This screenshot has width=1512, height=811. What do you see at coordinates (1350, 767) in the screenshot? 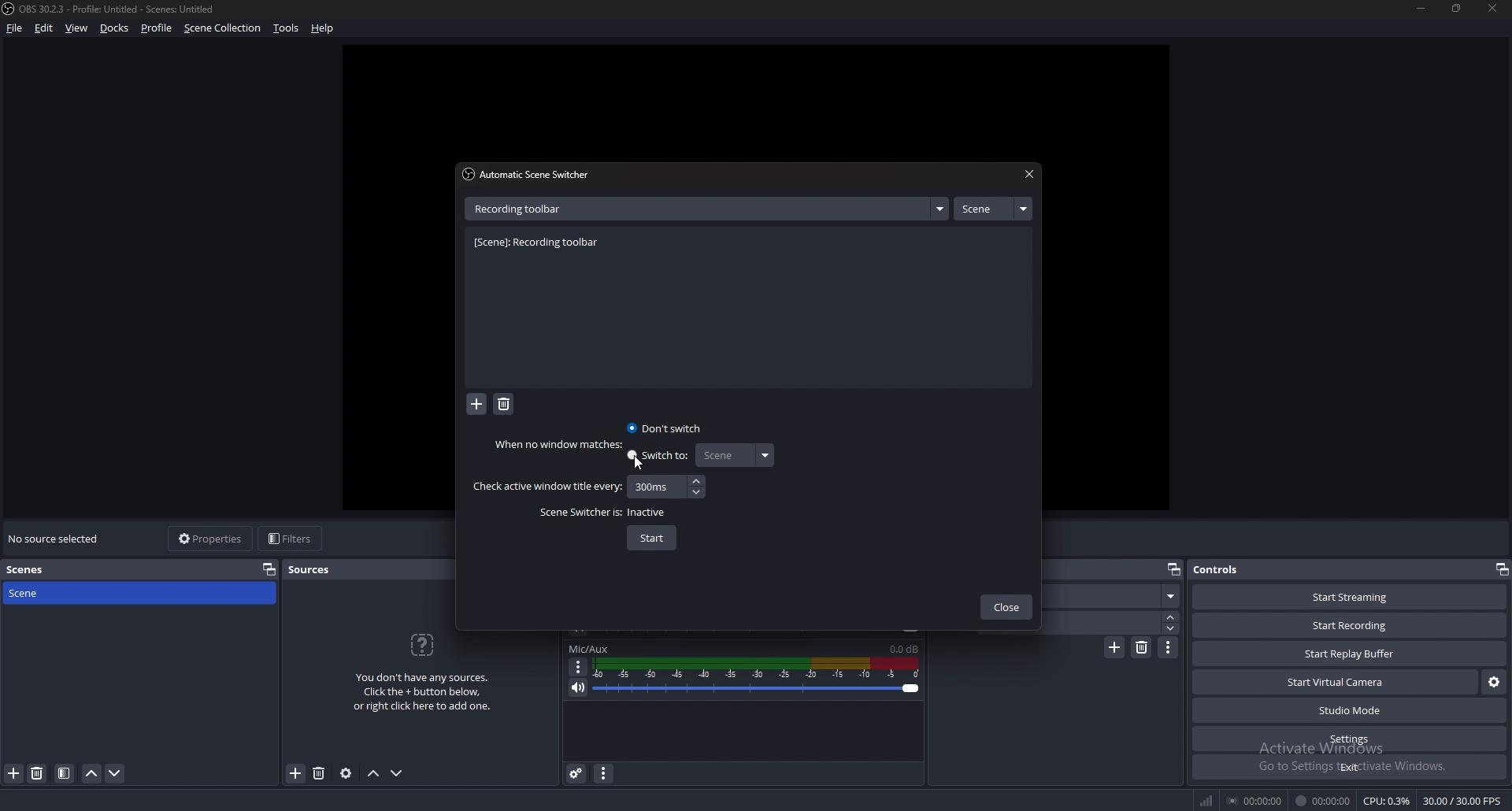
I see `exit` at bounding box center [1350, 767].